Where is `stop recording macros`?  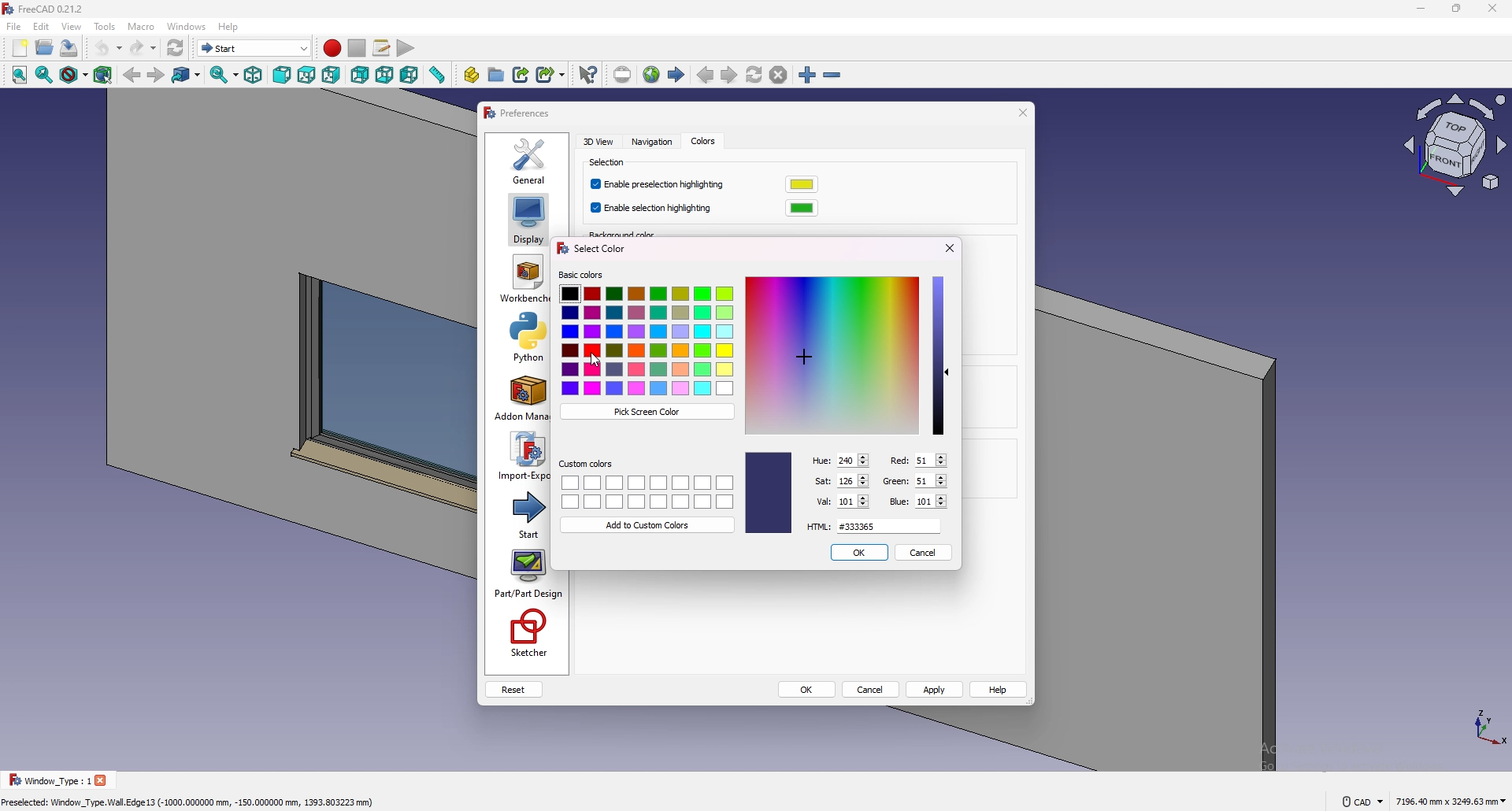 stop recording macros is located at coordinates (357, 48).